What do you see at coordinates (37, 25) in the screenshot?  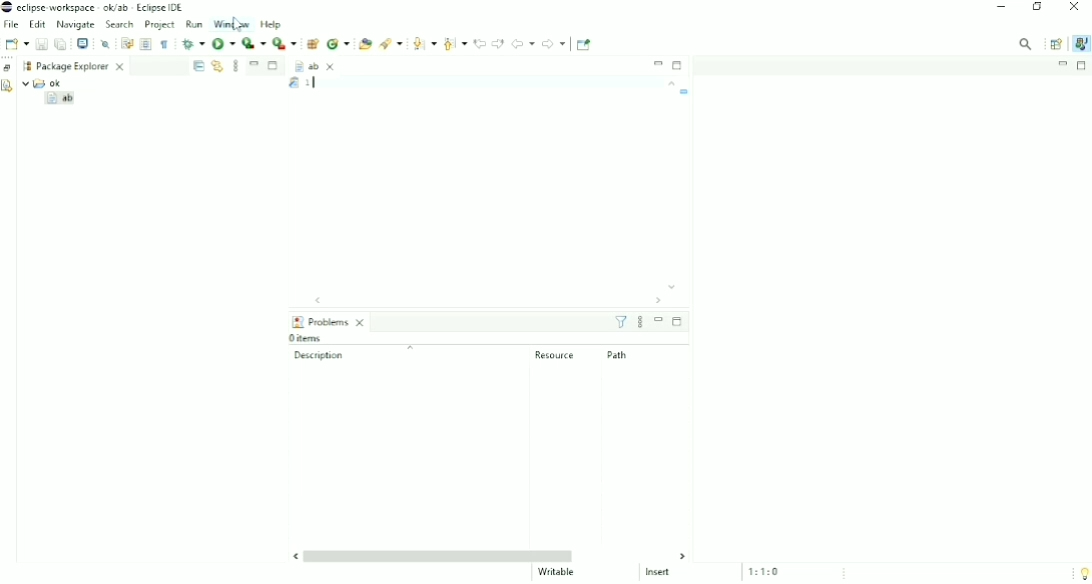 I see `Edit` at bounding box center [37, 25].